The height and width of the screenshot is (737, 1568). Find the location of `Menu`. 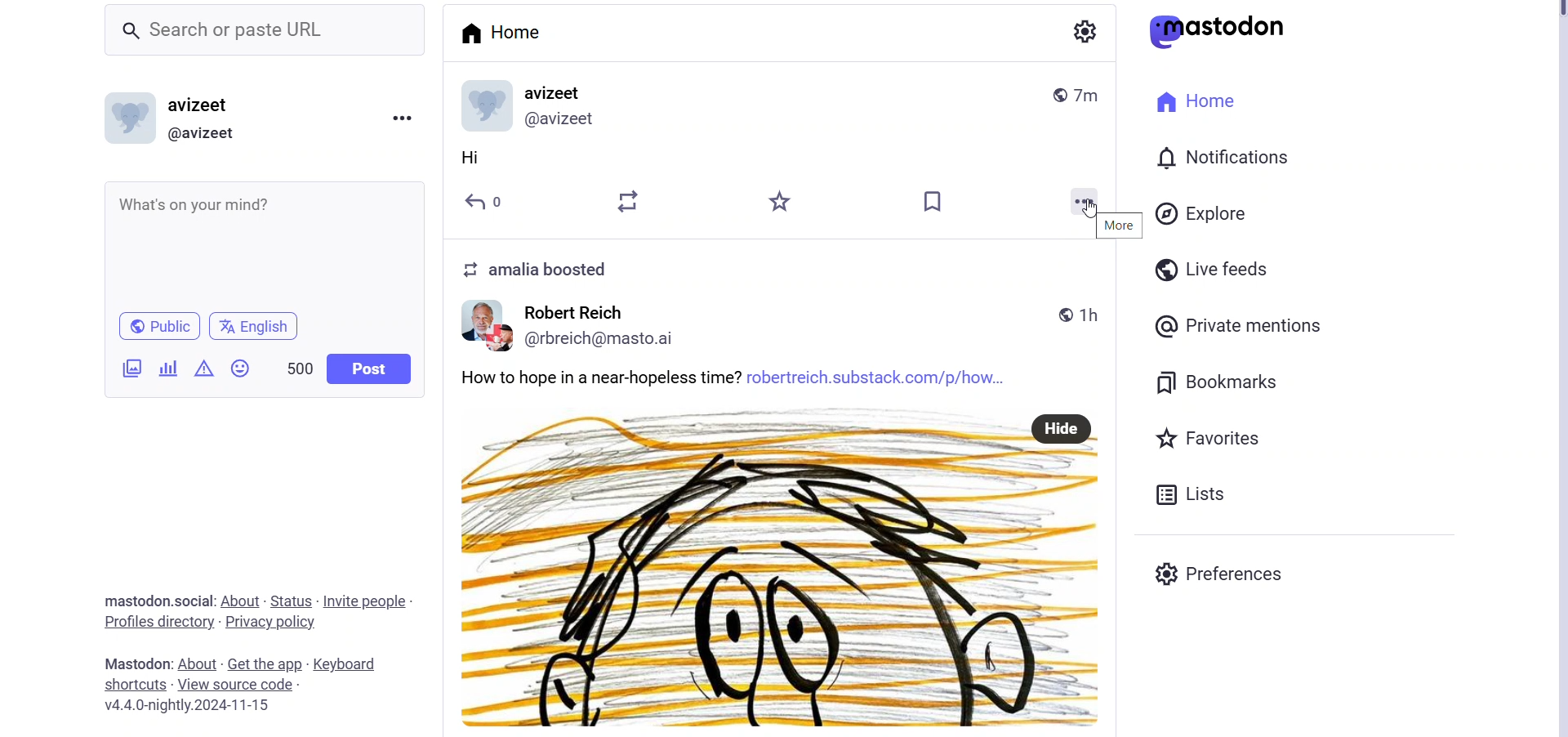

Menu is located at coordinates (401, 118).